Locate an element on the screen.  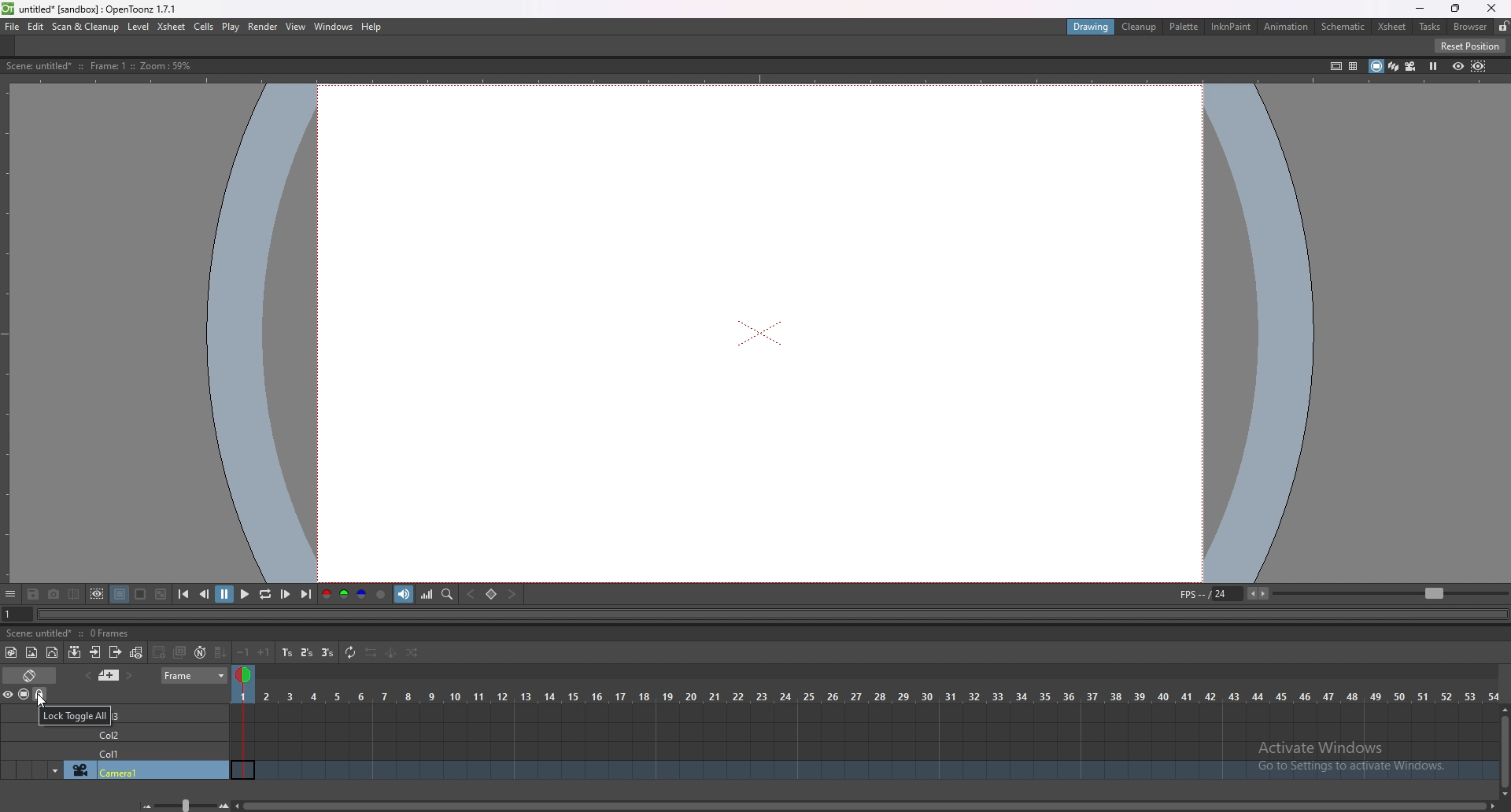
reset position is located at coordinates (1470, 46).